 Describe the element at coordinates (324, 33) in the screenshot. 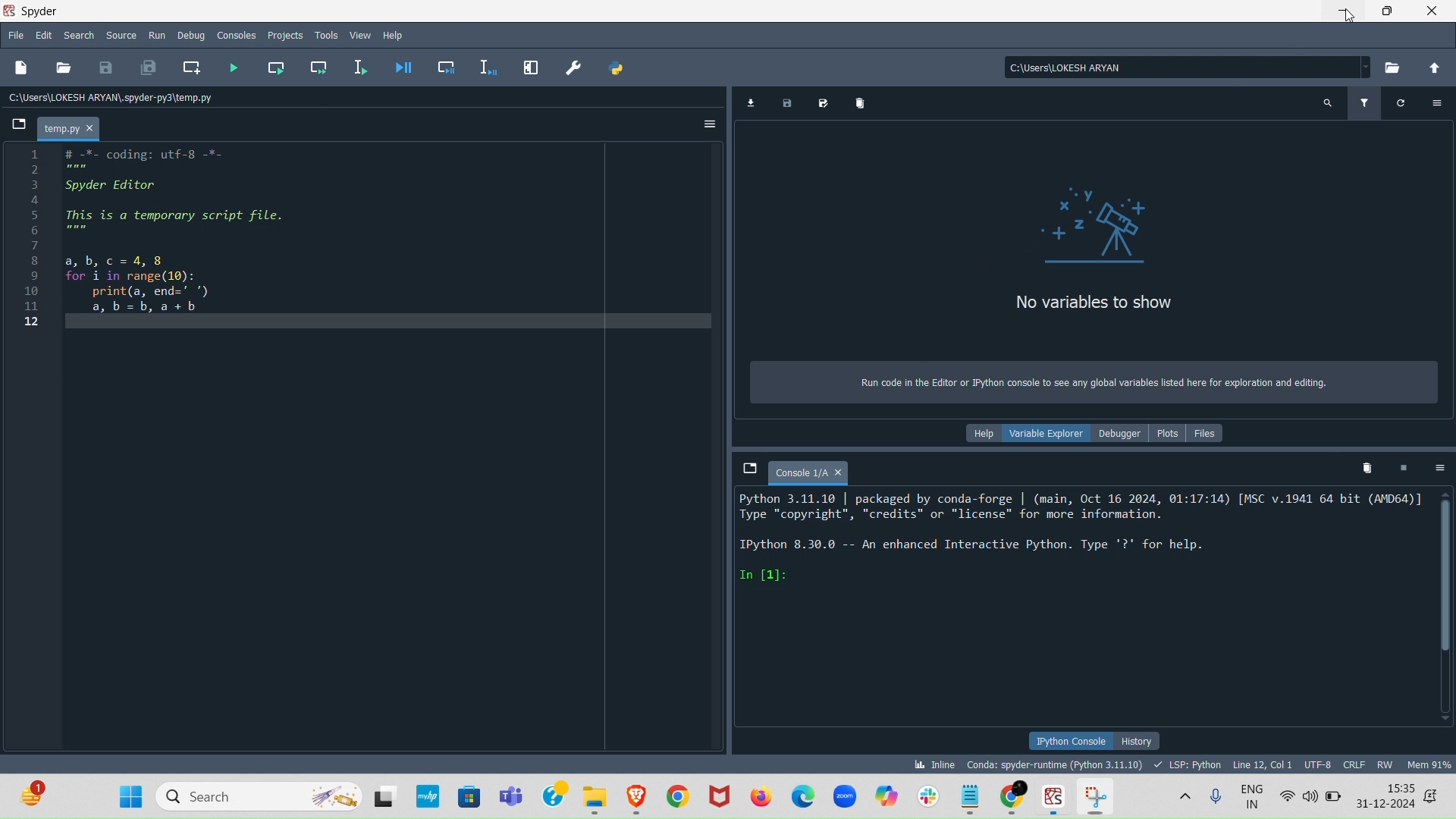

I see `Tools` at that location.